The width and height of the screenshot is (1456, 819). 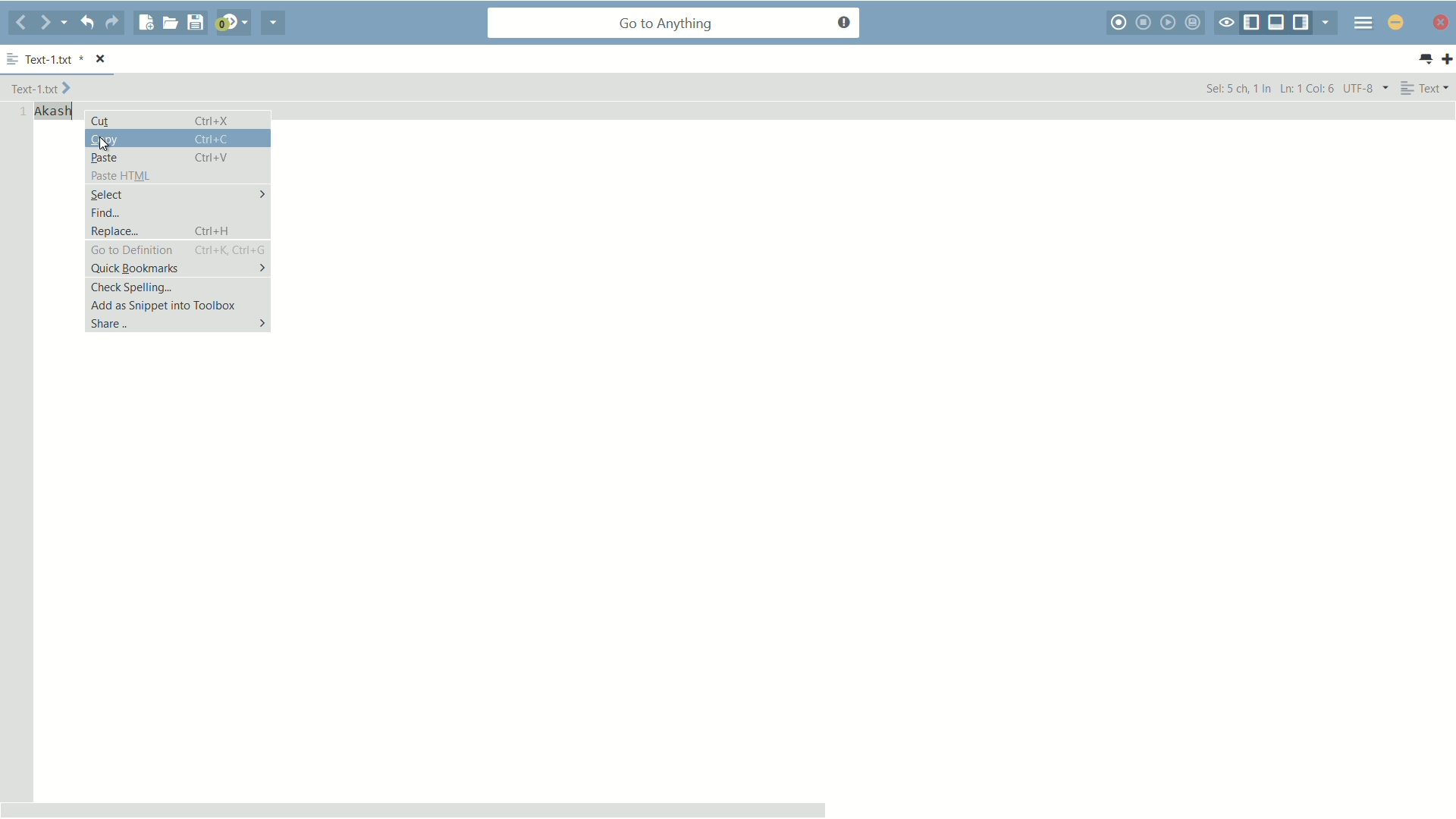 What do you see at coordinates (177, 287) in the screenshot?
I see `check spelling` at bounding box center [177, 287].